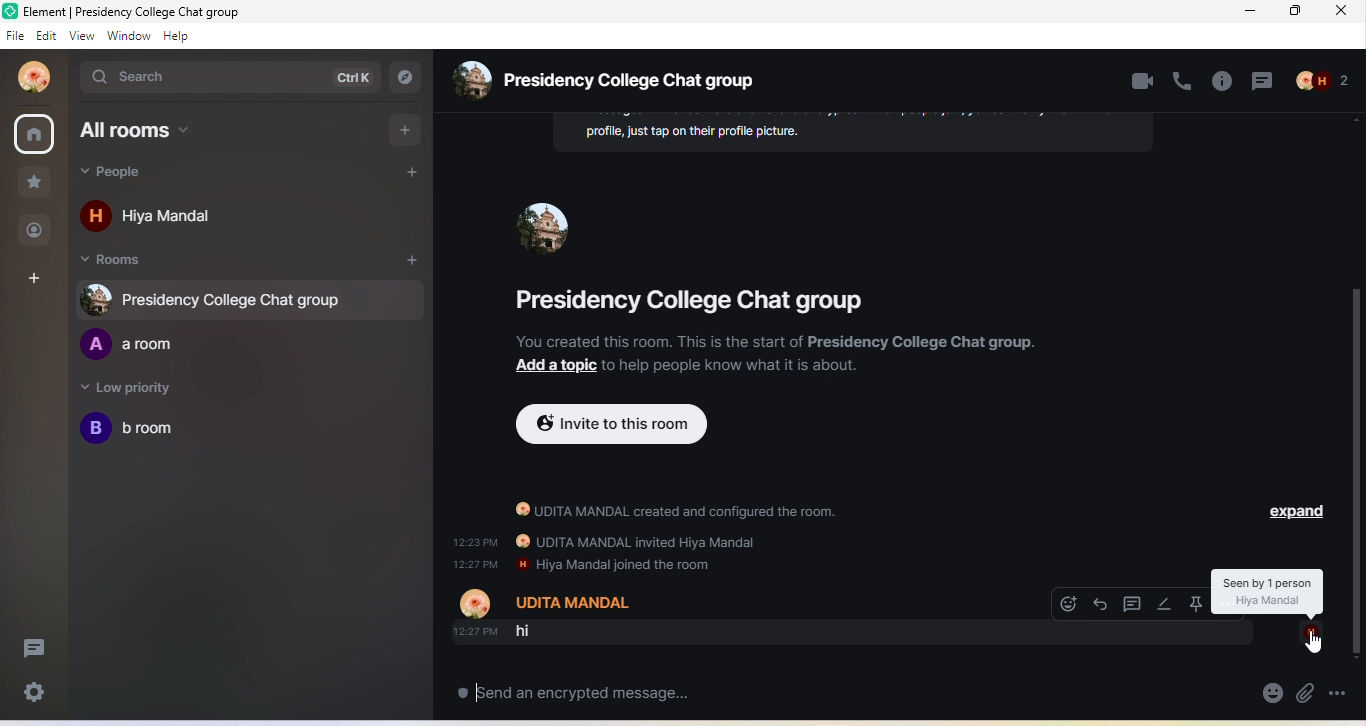  I want to click on all rooms, so click(196, 132).